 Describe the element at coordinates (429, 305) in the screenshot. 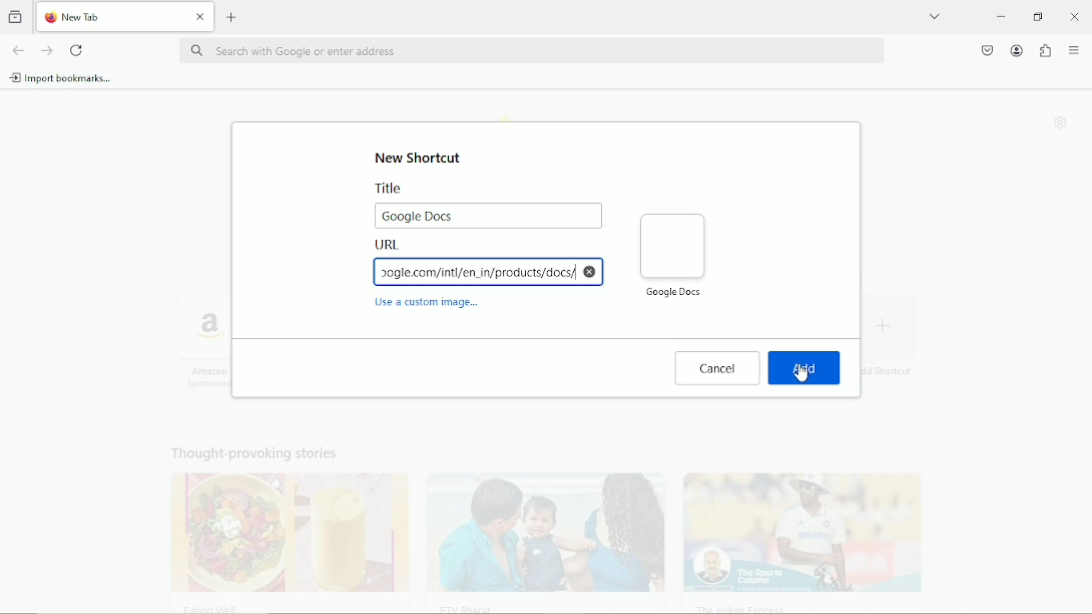

I see `Use a custom image` at that location.